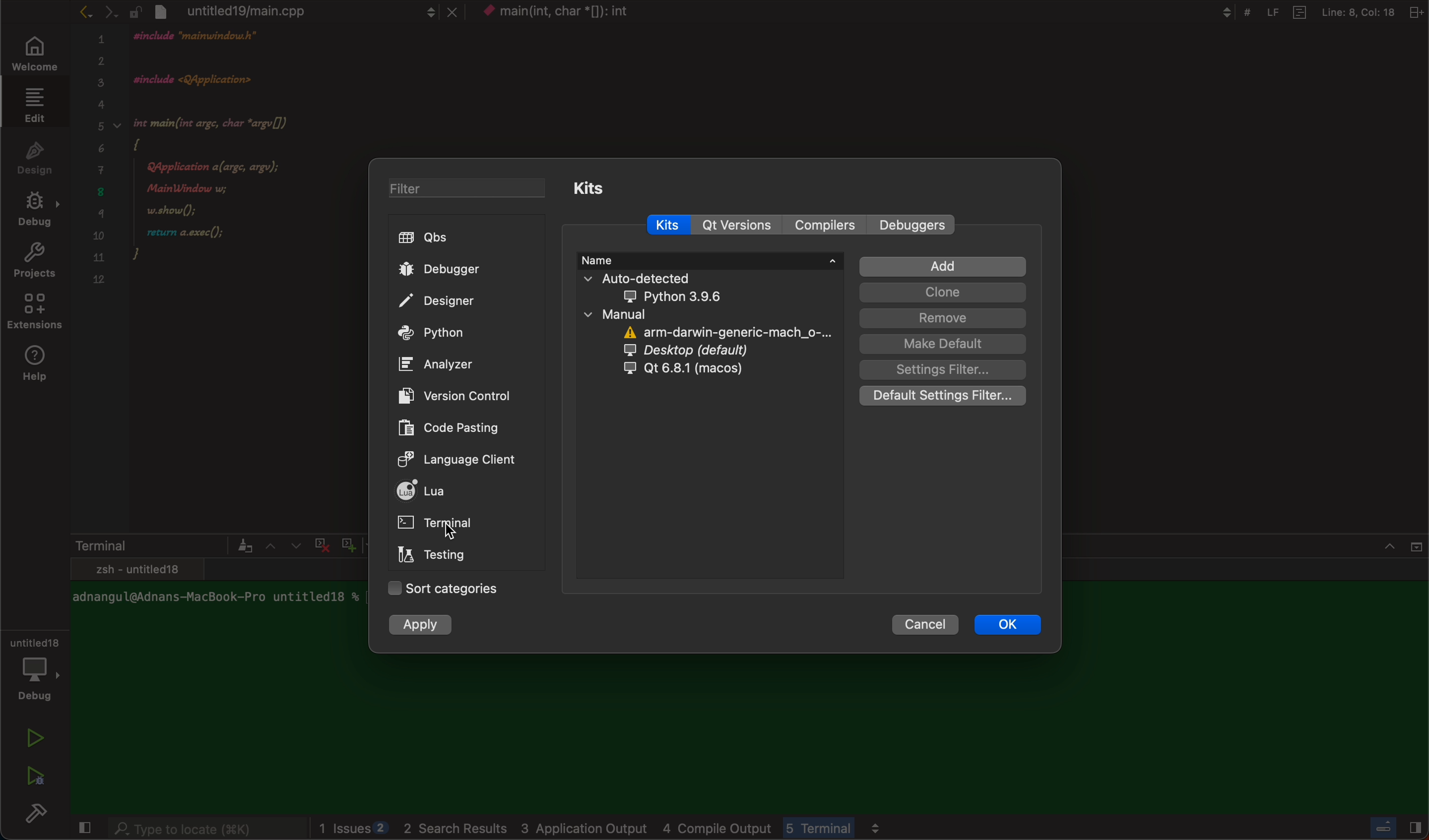 Image resolution: width=1429 pixels, height=840 pixels. What do you see at coordinates (34, 263) in the screenshot?
I see `projects` at bounding box center [34, 263].